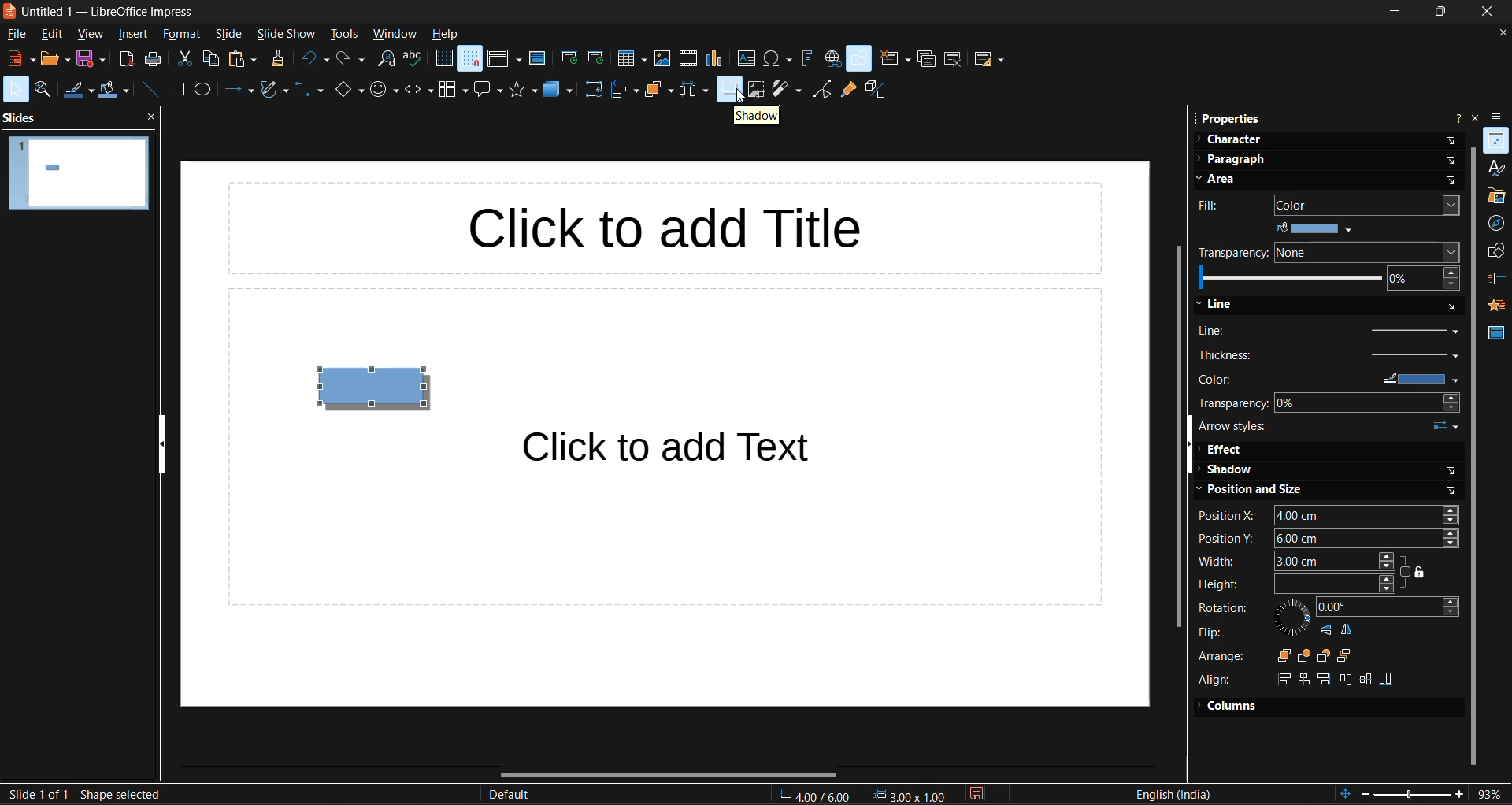  What do you see at coordinates (1366, 680) in the screenshot?
I see `center` at bounding box center [1366, 680].